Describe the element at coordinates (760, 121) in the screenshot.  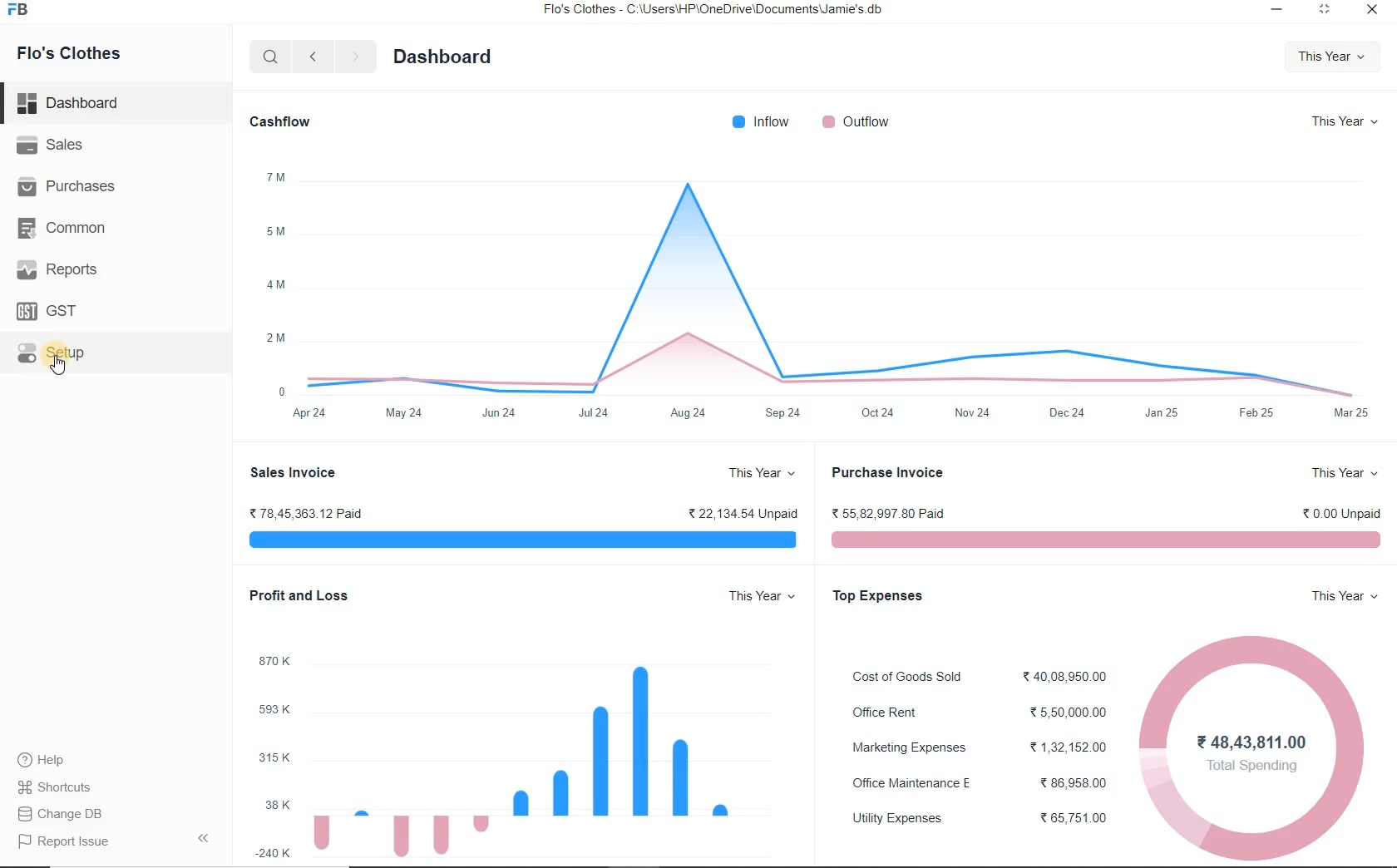
I see `® Inflow` at that location.